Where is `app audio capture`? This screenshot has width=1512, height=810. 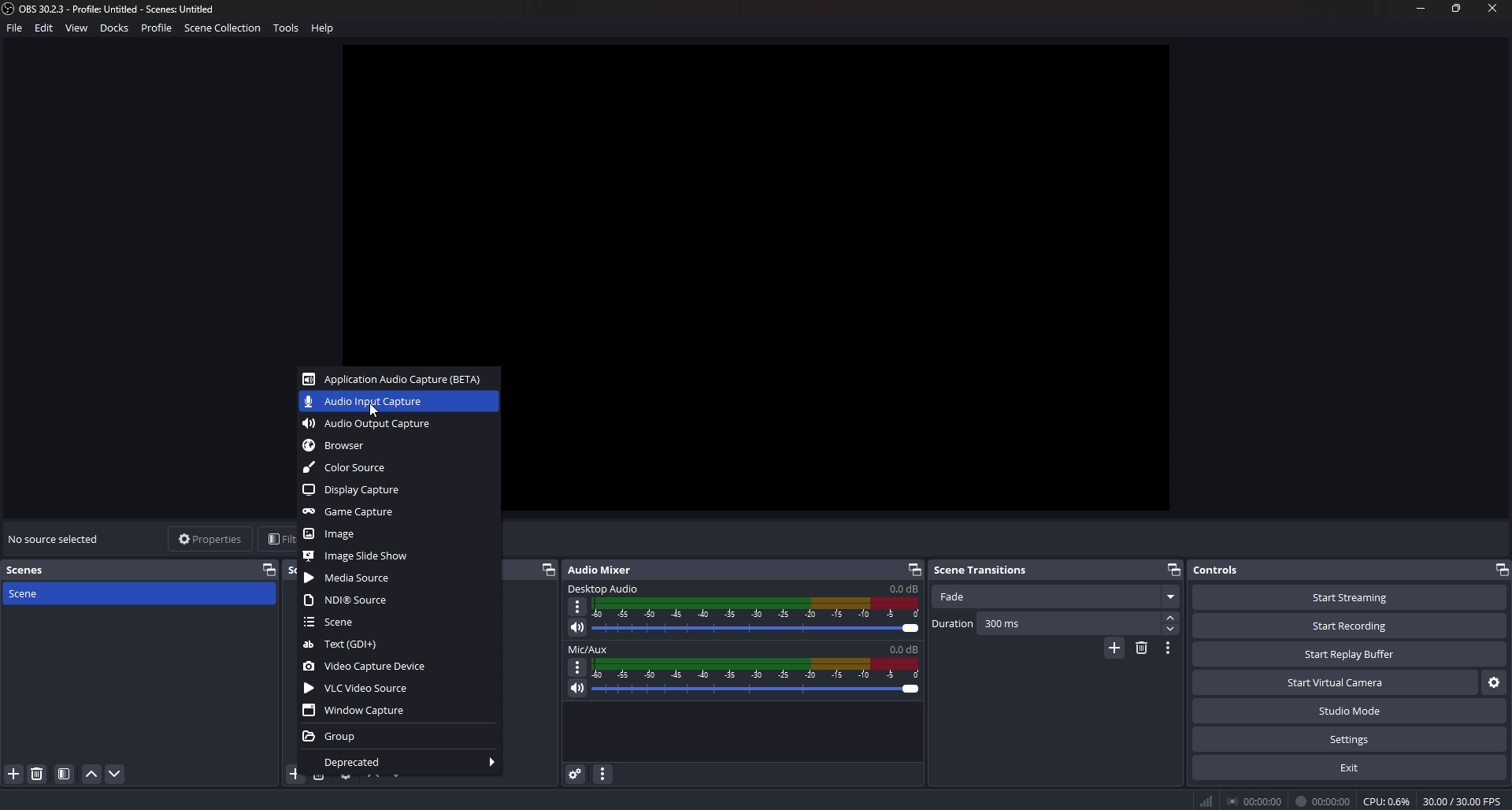 app audio capture is located at coordinates (397, 378).